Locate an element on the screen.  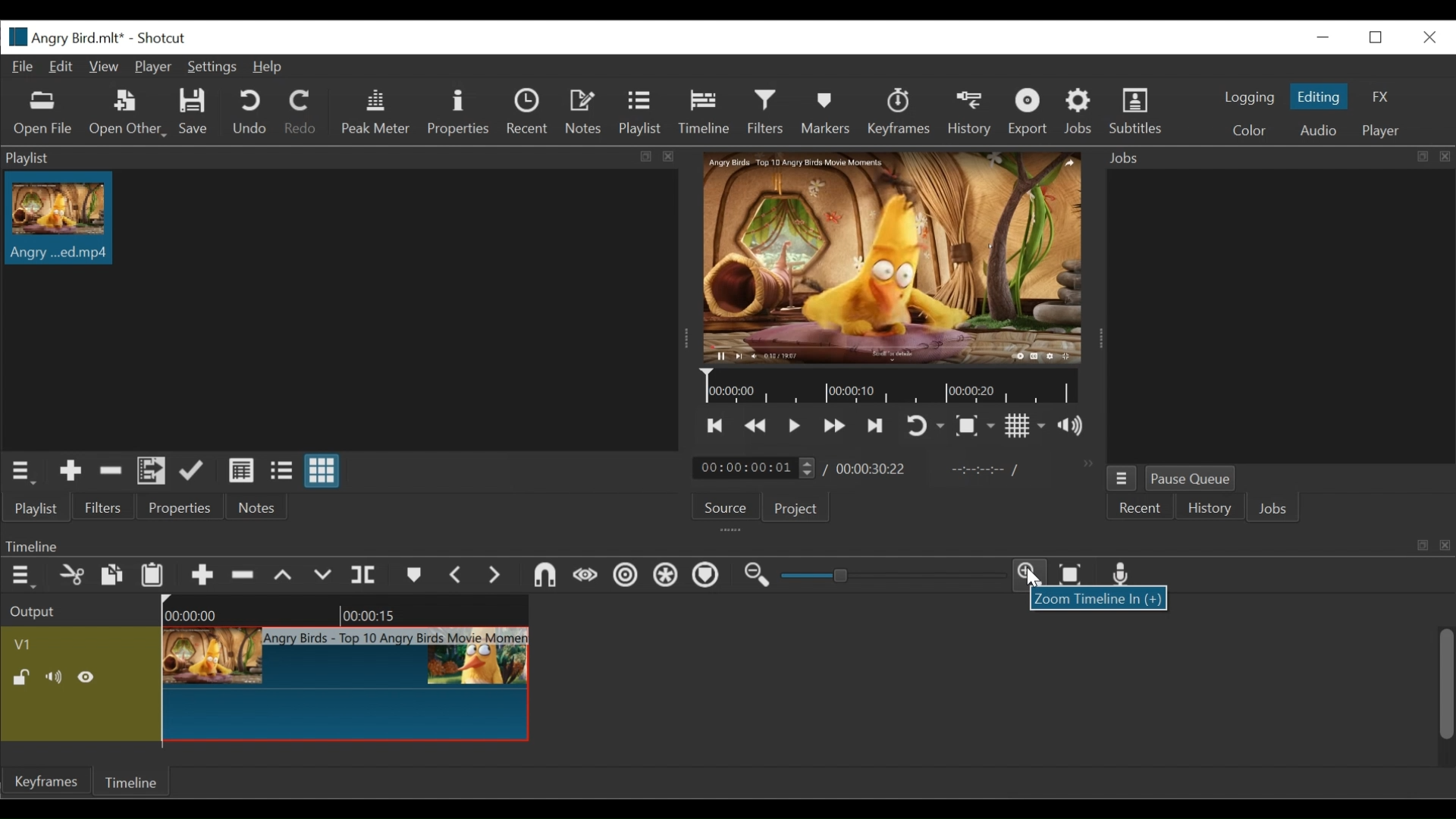
Job menu is located at coordinates (1125, 479).